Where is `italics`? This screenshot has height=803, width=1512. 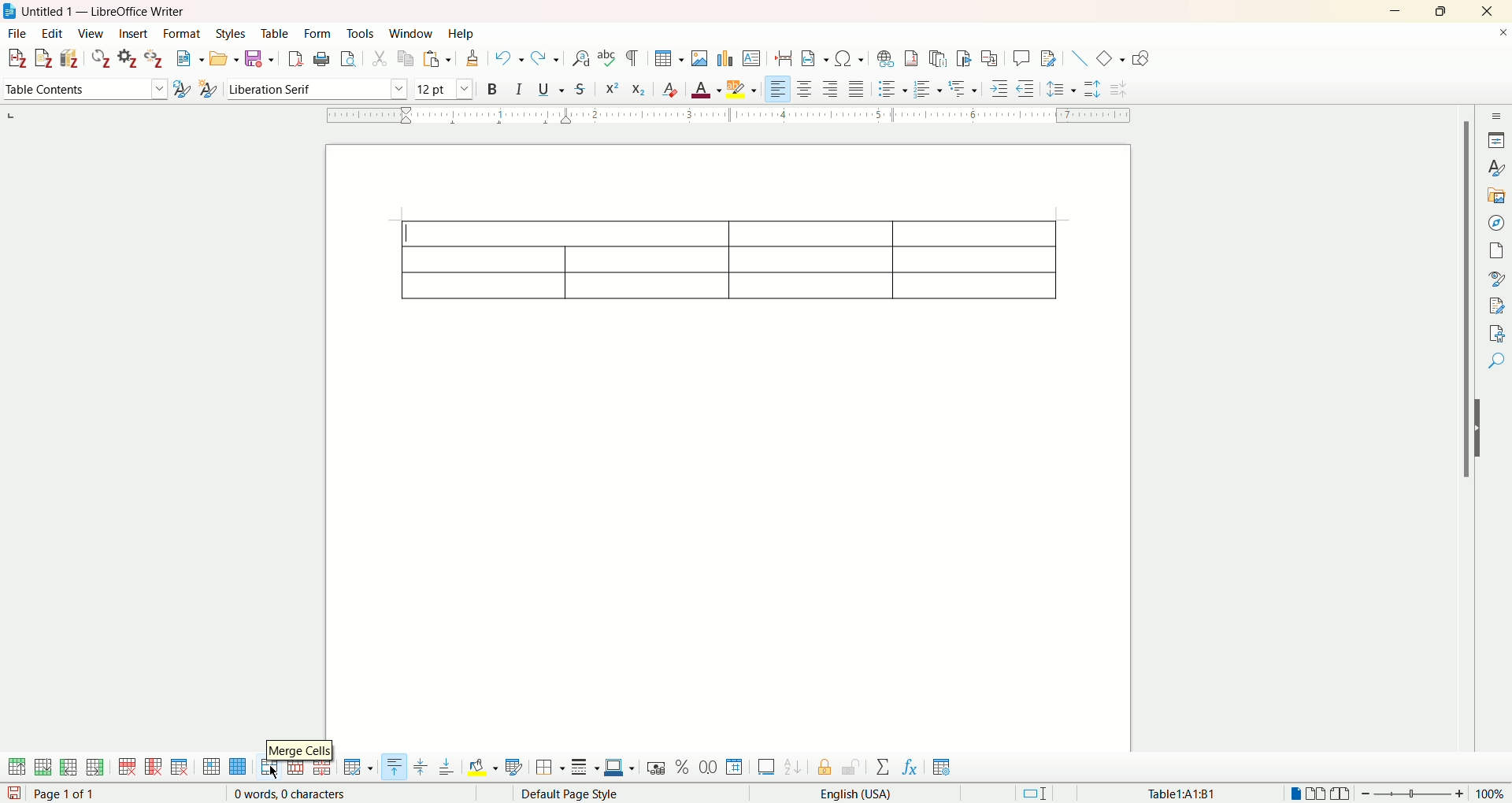 italics is located at coordinates (521, 91).